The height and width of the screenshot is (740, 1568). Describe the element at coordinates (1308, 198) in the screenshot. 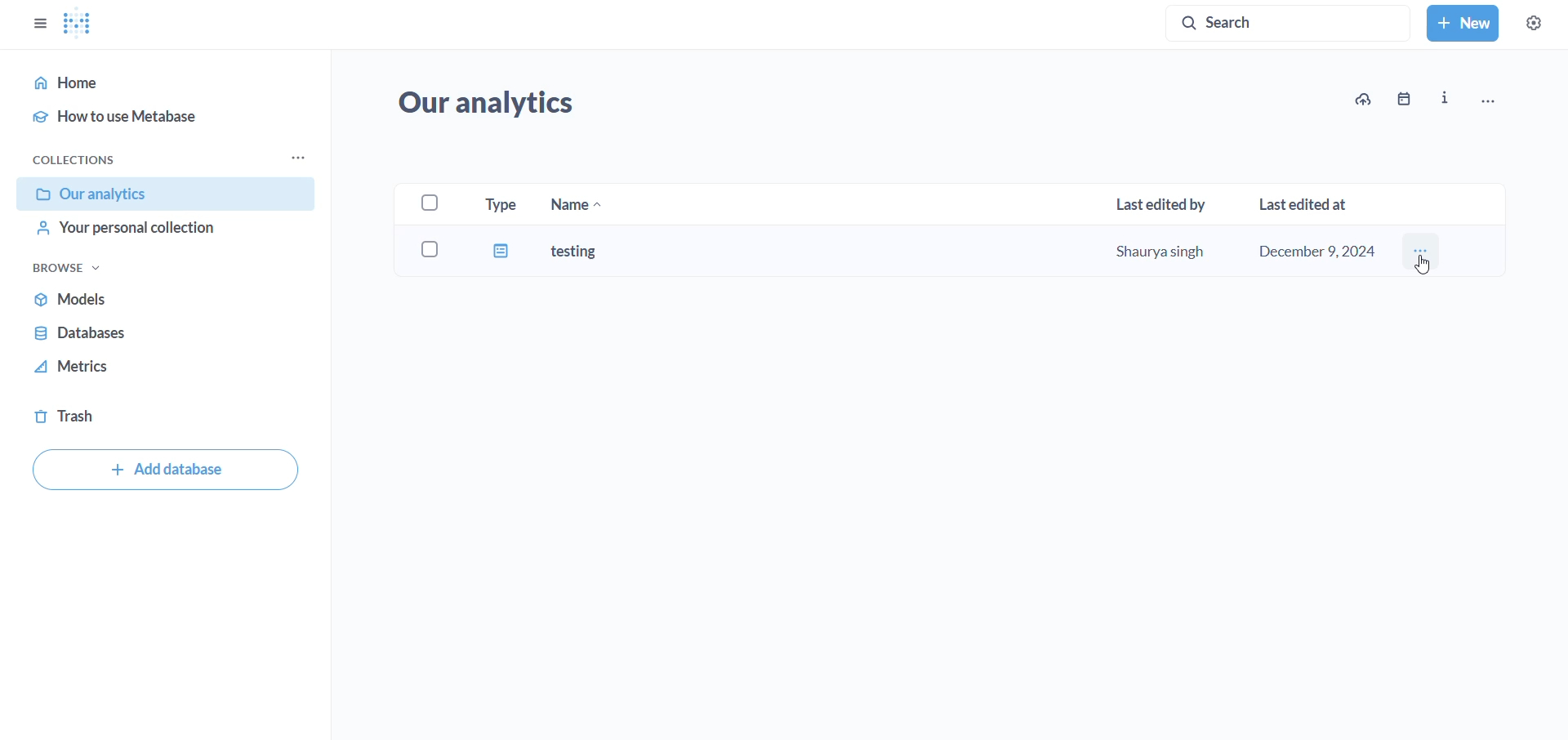

I see `last edited at` at that location.